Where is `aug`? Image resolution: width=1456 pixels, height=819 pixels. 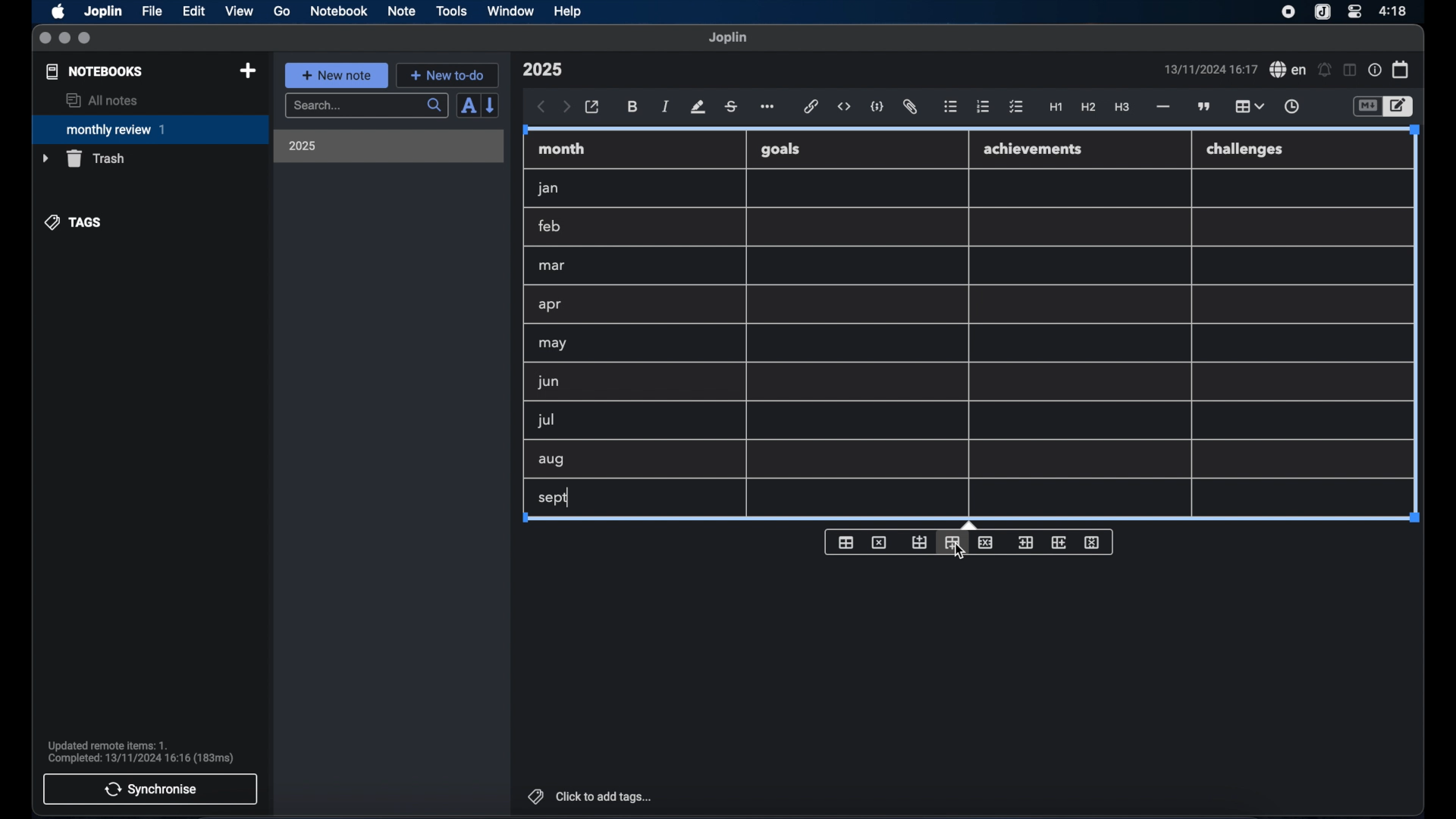
aug is located at coordinates (551, 461).